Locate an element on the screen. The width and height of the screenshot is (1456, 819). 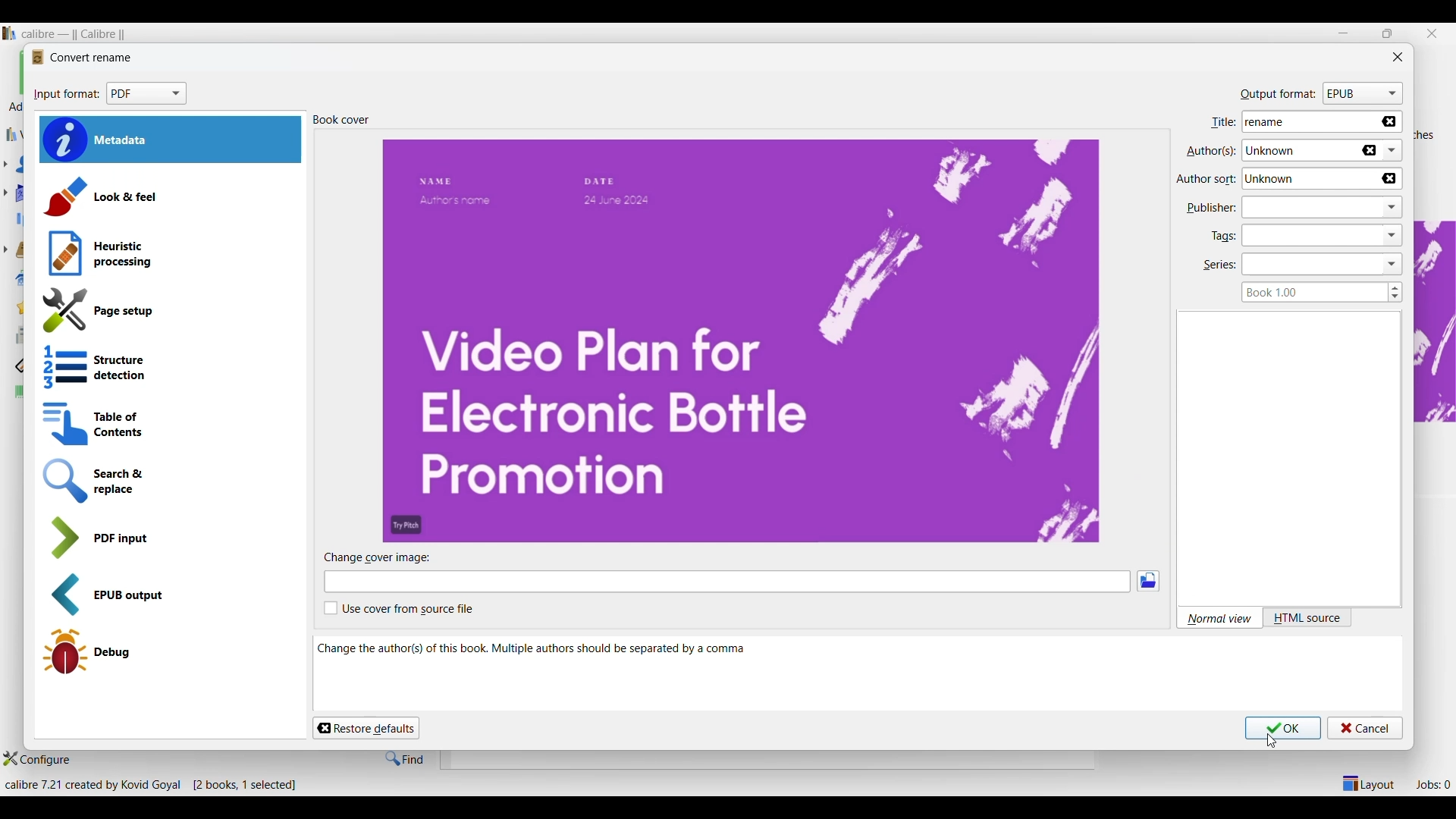
input format is located at coordinates (66, 96).